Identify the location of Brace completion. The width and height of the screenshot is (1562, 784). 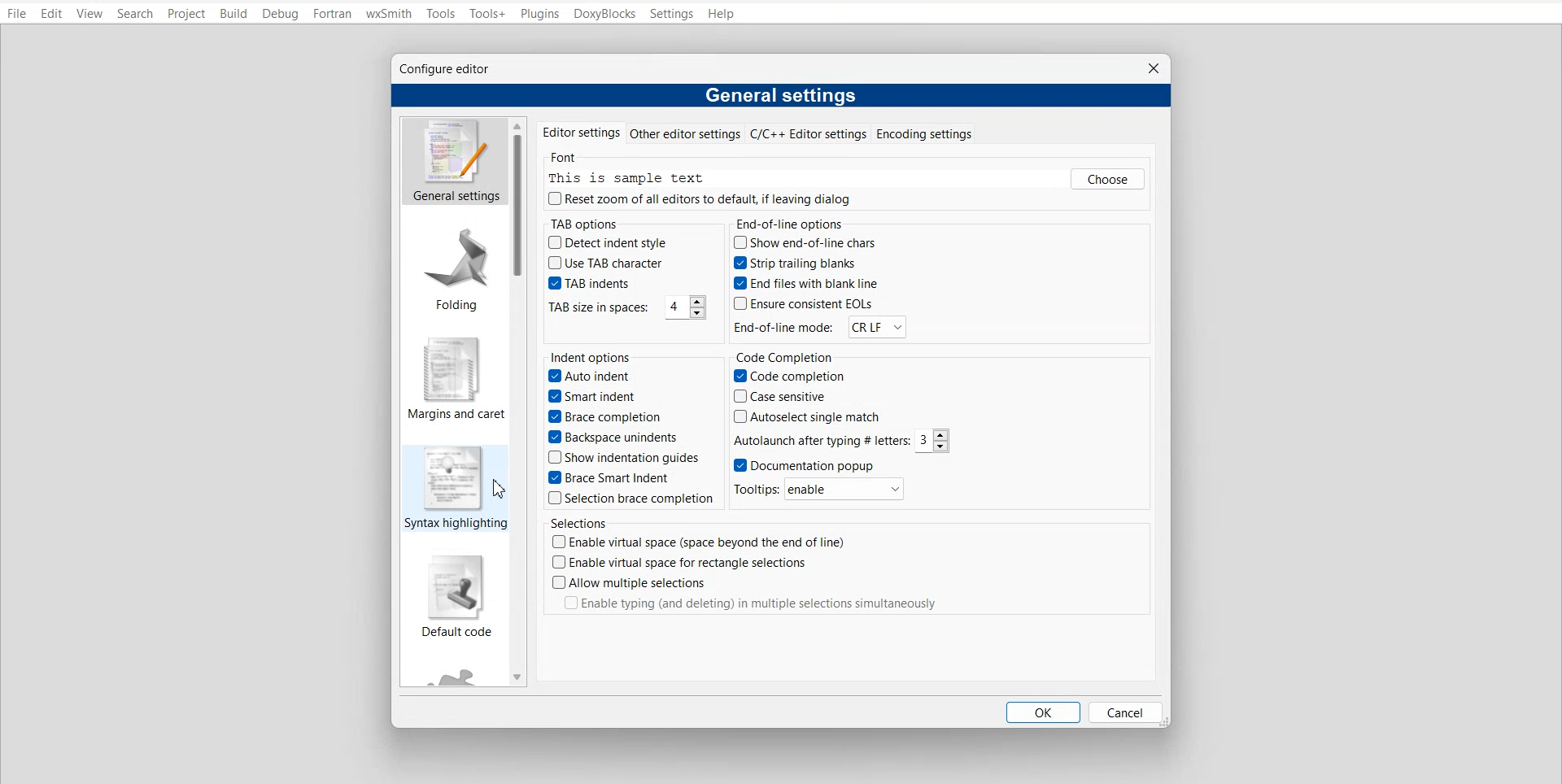
(610, 416).